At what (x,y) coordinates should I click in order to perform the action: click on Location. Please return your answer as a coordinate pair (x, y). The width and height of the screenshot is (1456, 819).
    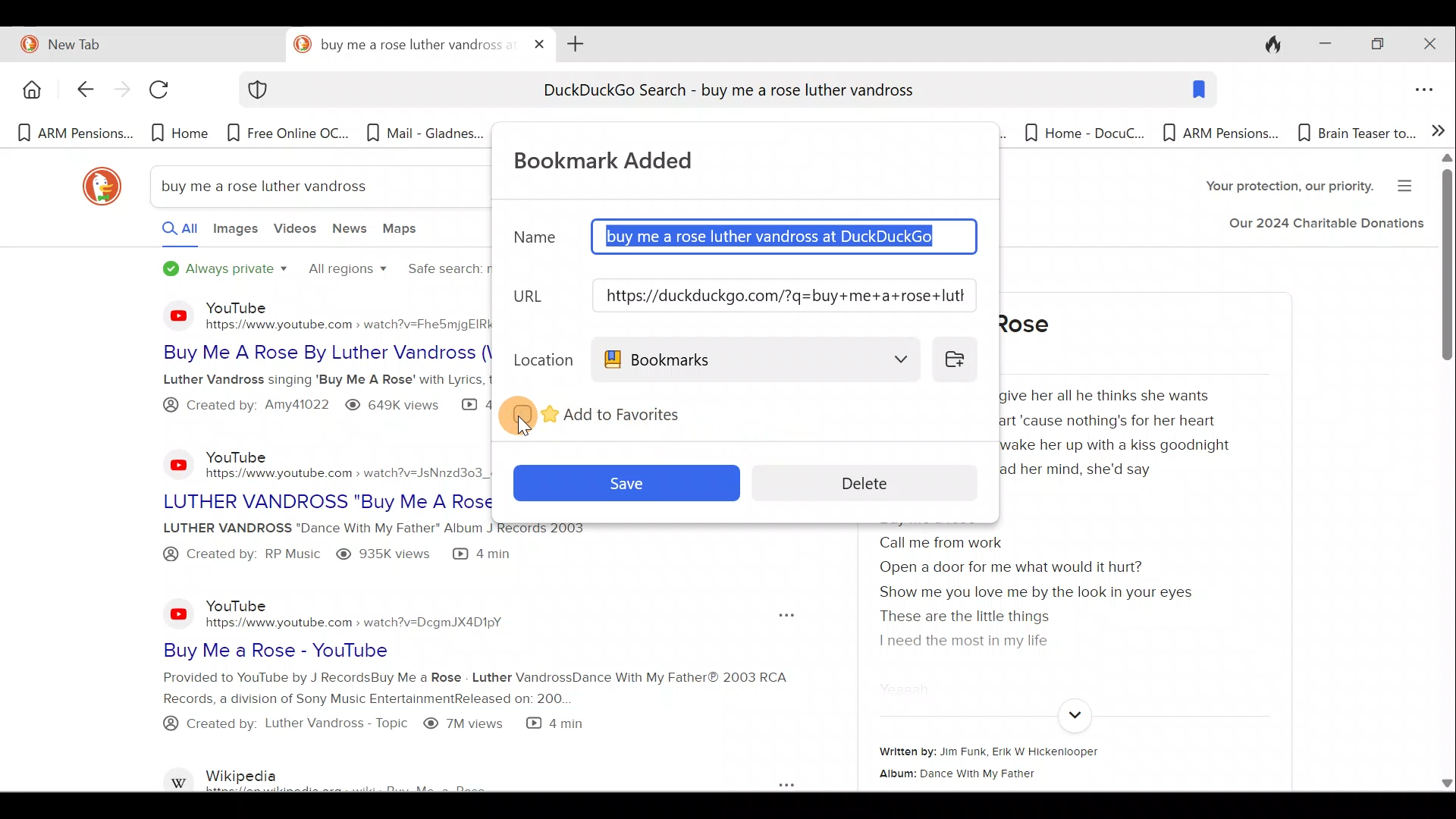
    Looking at the image, I should click on (540, 357).